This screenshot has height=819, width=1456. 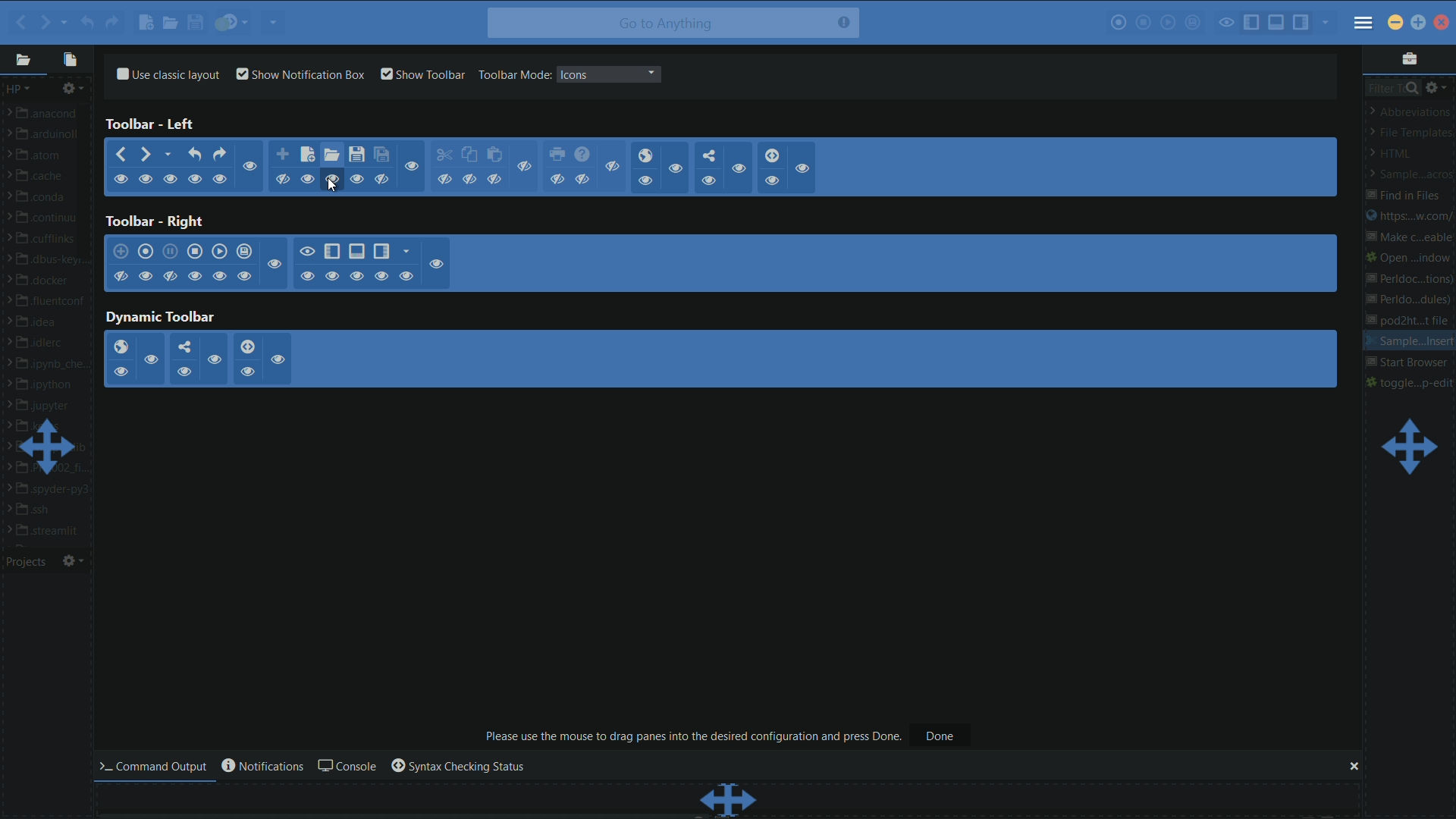 I want to click on show/hide, so click(x=146, y=180).